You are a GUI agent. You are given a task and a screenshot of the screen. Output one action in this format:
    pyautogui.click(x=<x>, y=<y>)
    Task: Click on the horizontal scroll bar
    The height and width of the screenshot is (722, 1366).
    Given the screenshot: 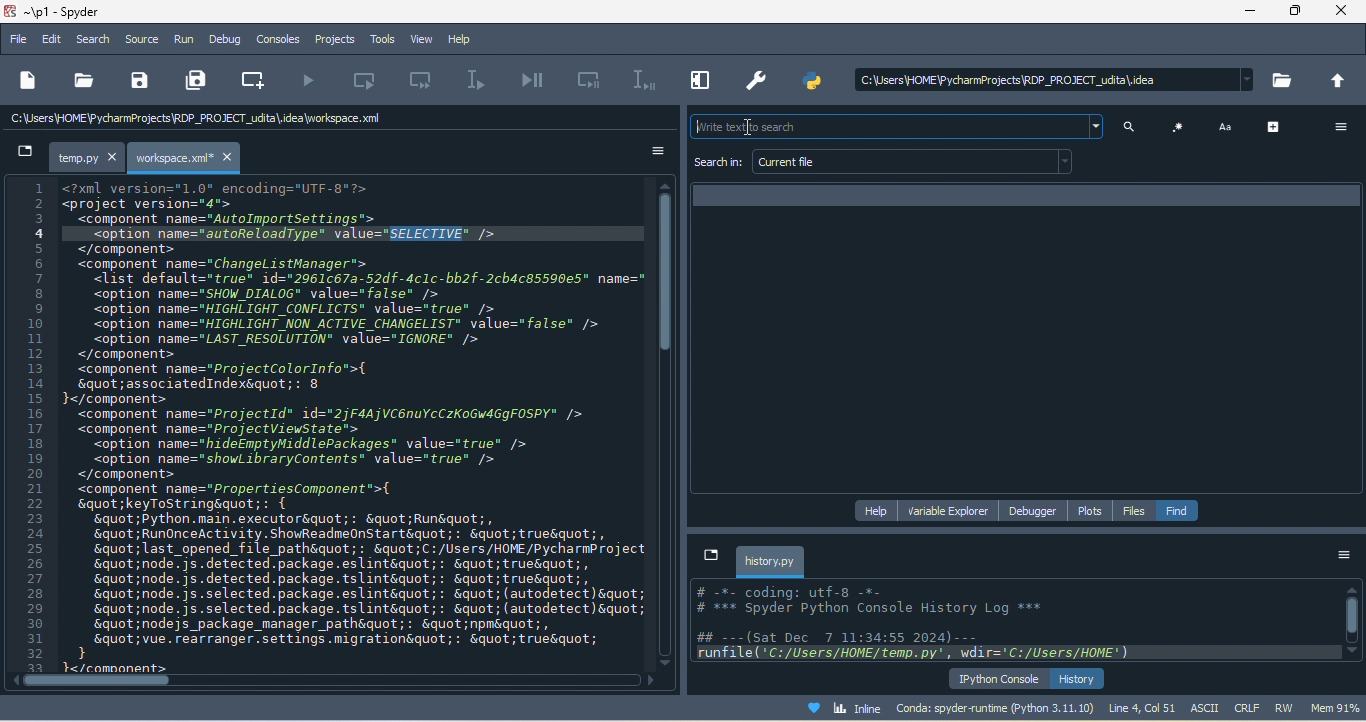 What is the action you would take?
    pyautogui.click(x=84, y=682)
    